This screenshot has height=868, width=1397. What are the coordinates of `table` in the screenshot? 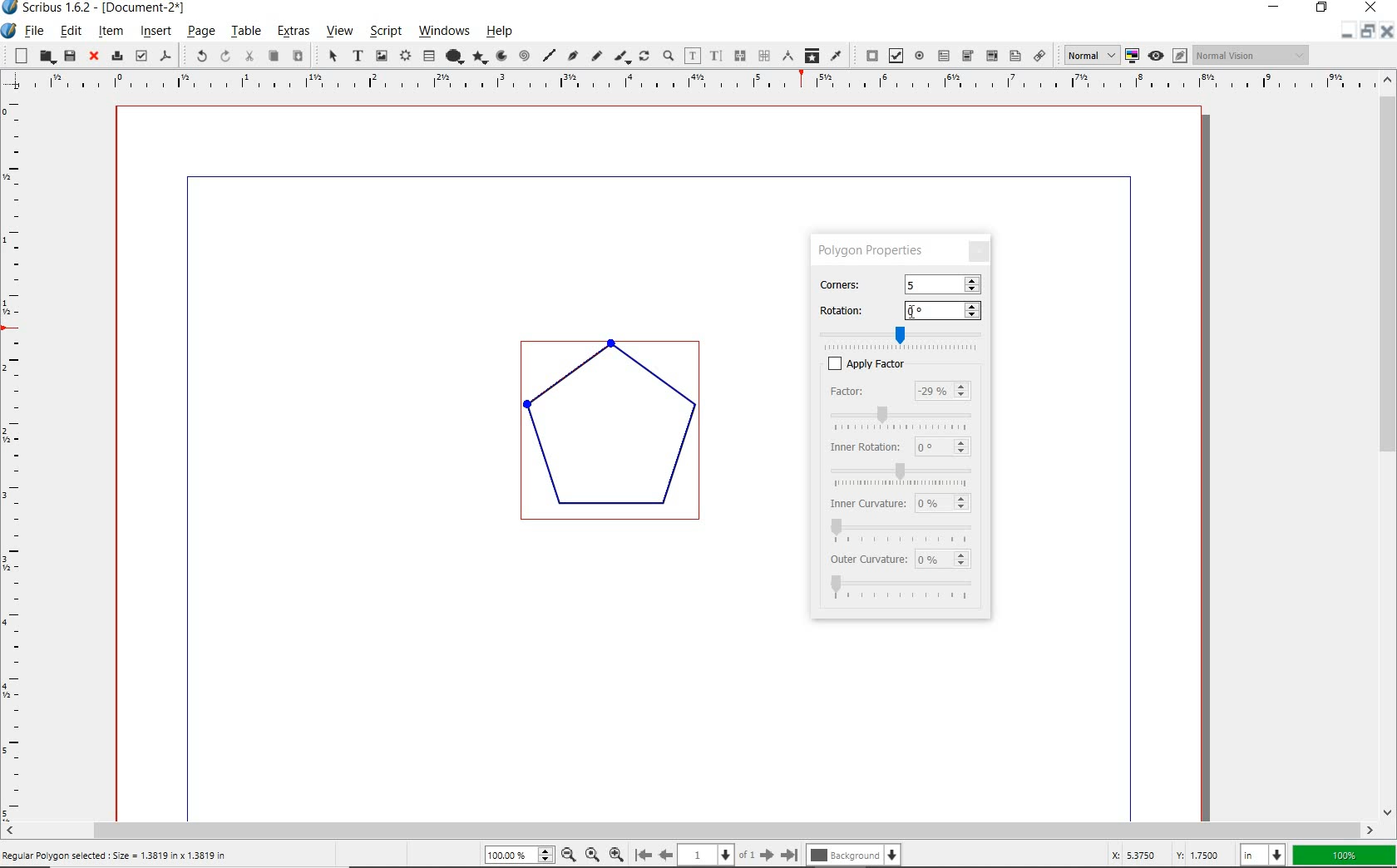 It's located at (245, 32).